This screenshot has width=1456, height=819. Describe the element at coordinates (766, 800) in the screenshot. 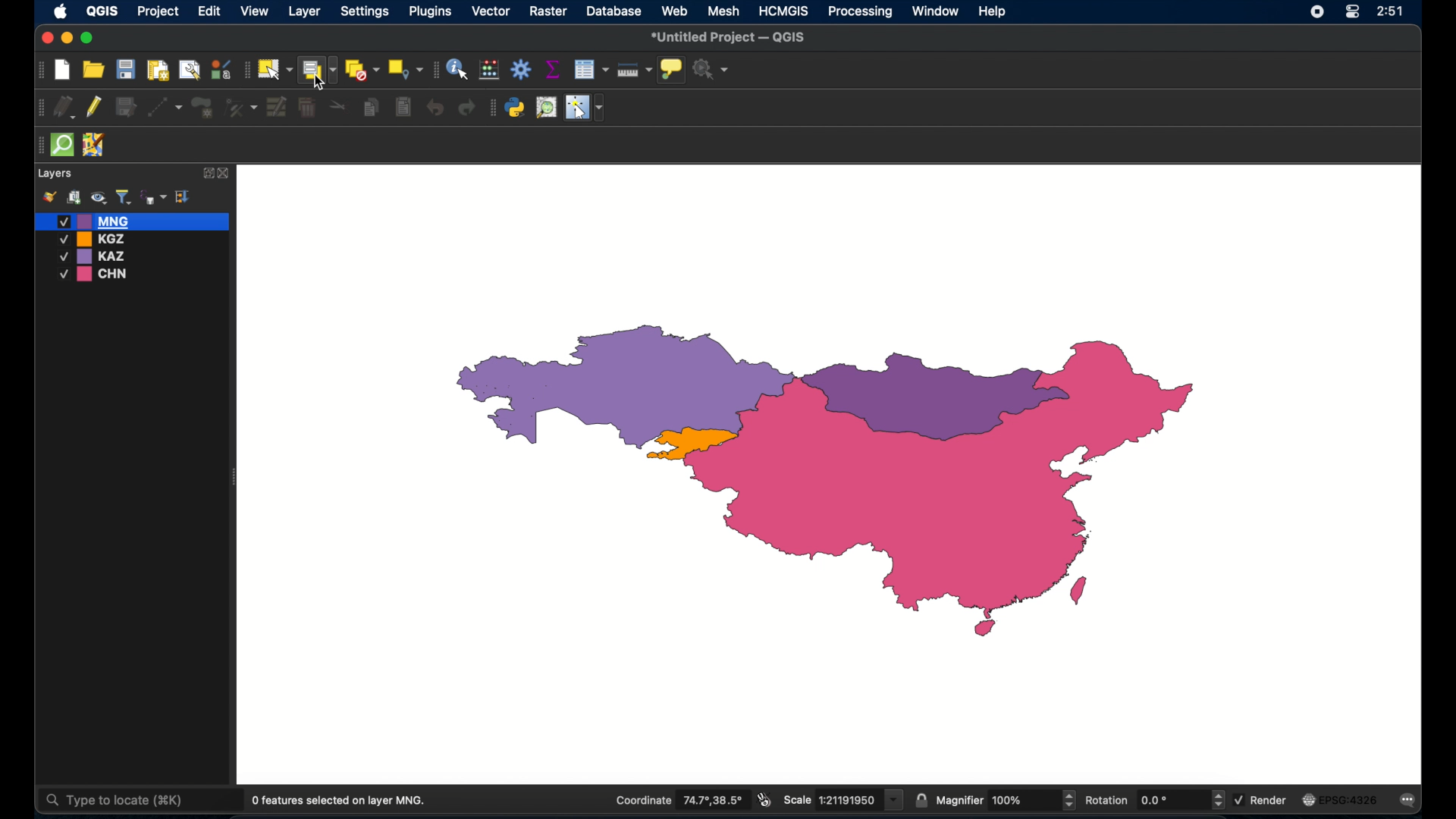

I see `toggle extents and mouse display position` at that location.